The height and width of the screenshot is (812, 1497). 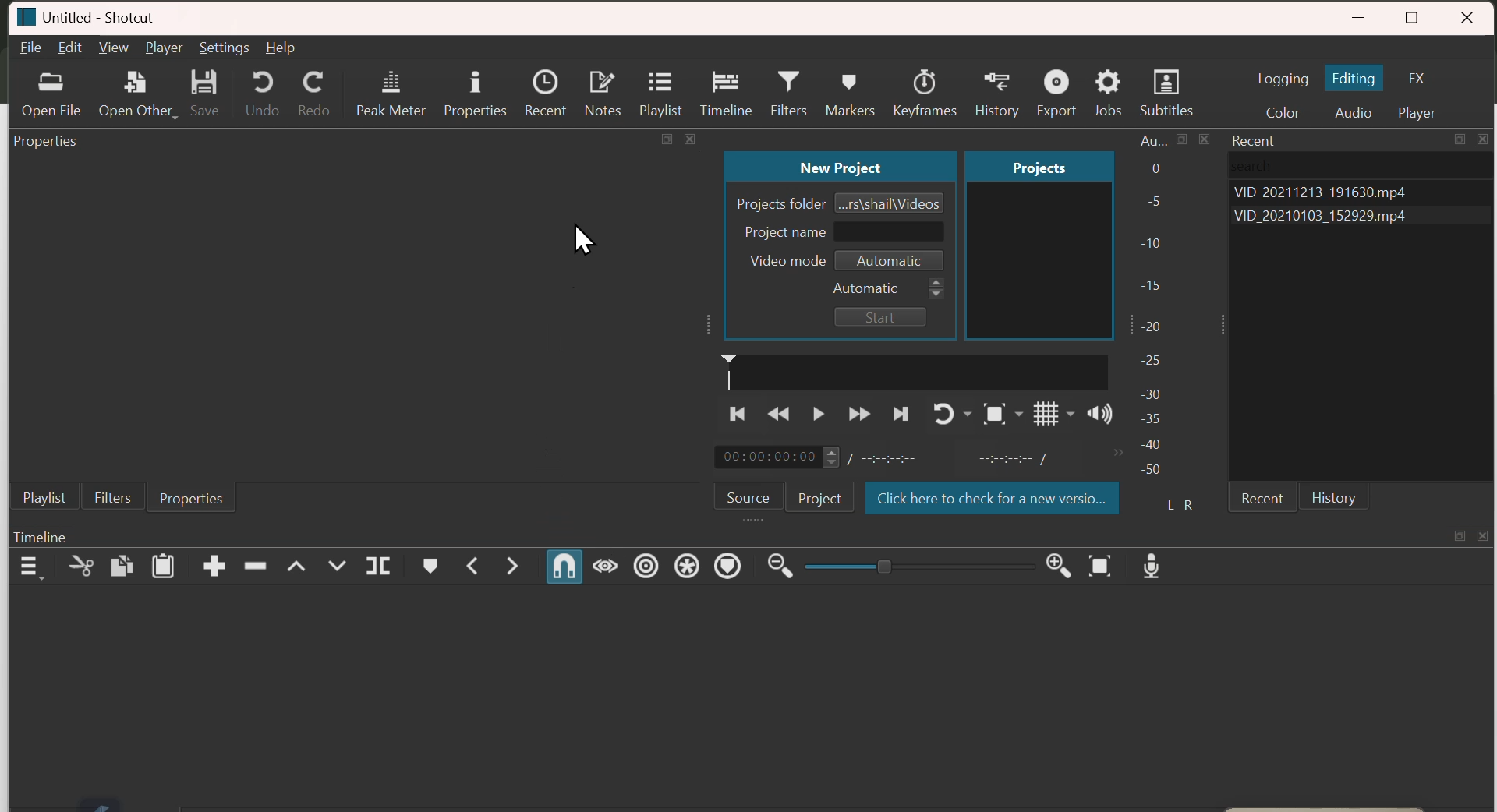 What do you see at coordinates (953, 414) in the screenshot?
I see `Replay` at bounding box center [953, 414].